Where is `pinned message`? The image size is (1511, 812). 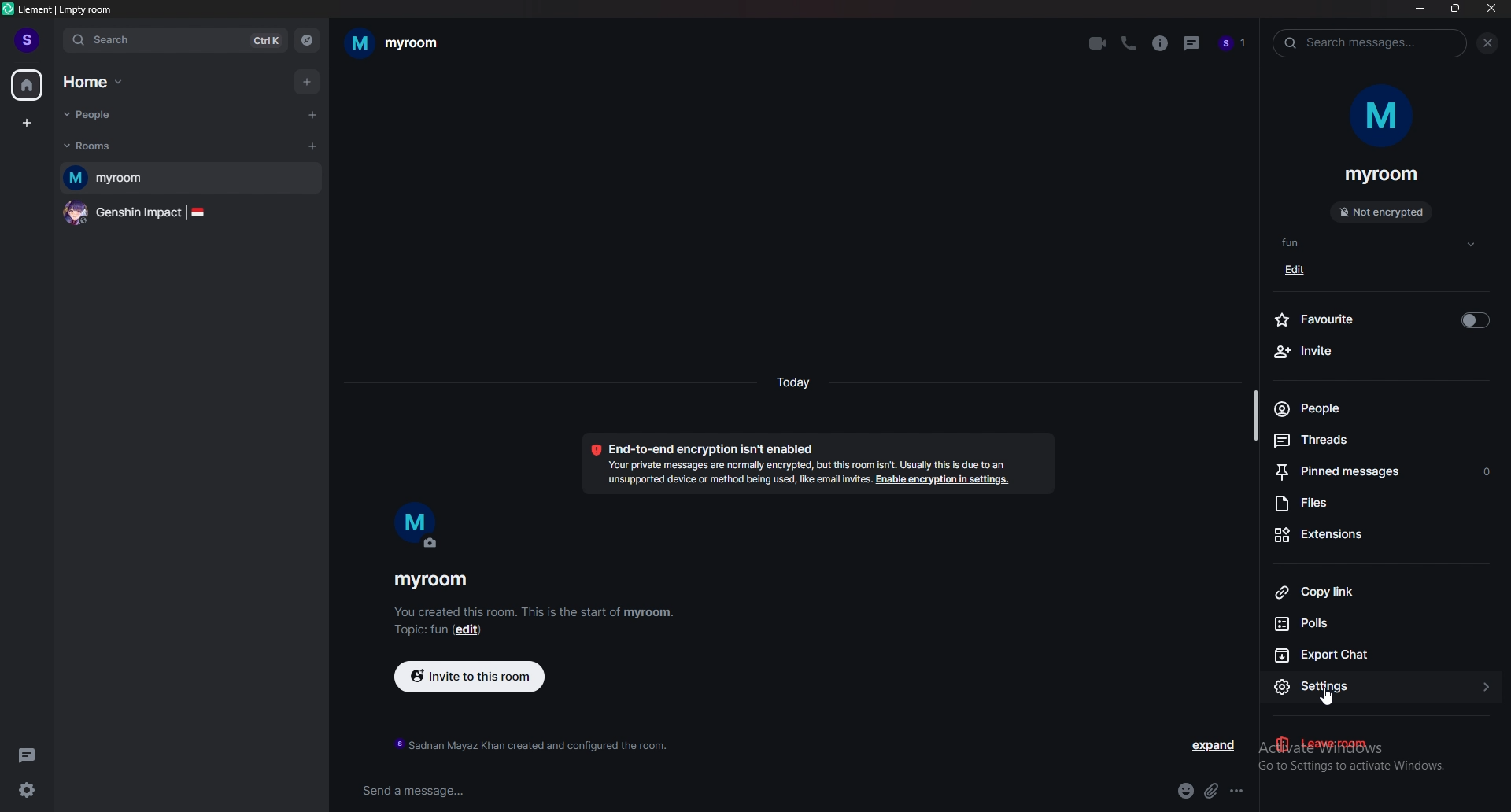
pinned message is located at coordinates (1387, 471).